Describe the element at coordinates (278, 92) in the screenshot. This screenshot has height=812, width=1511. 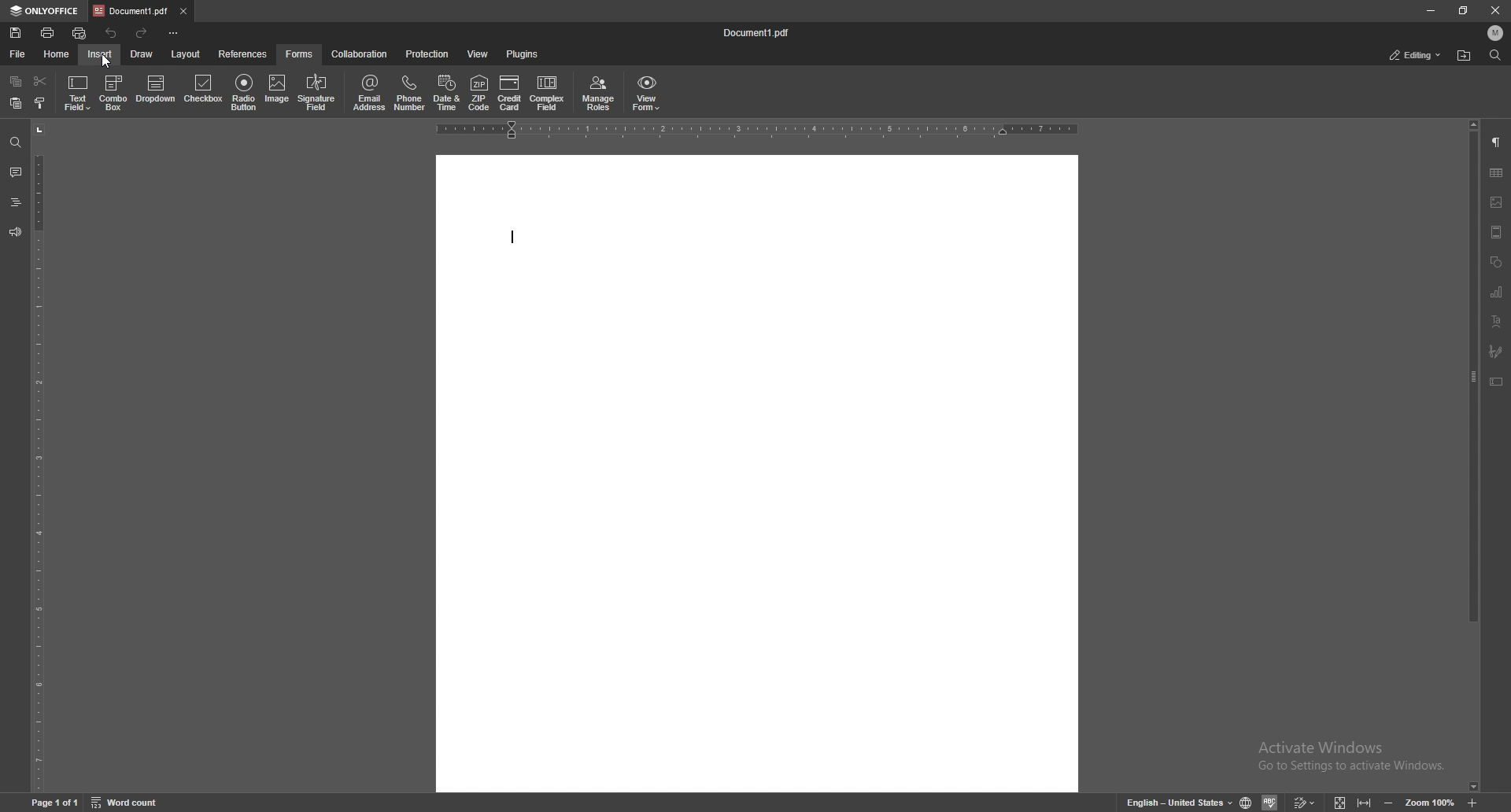
I see `image` at that location.